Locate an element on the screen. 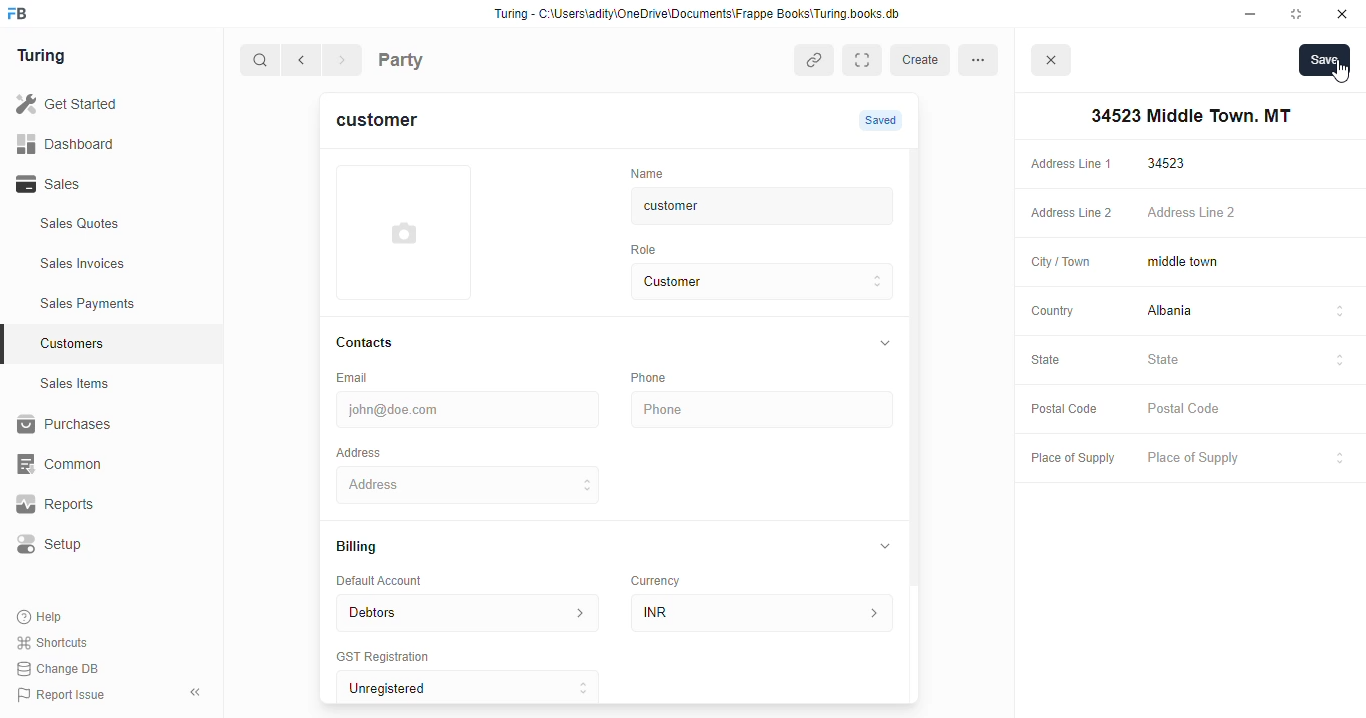 This screenshot has height=718, width=1366. Customers is located at coordinates (123, 341).